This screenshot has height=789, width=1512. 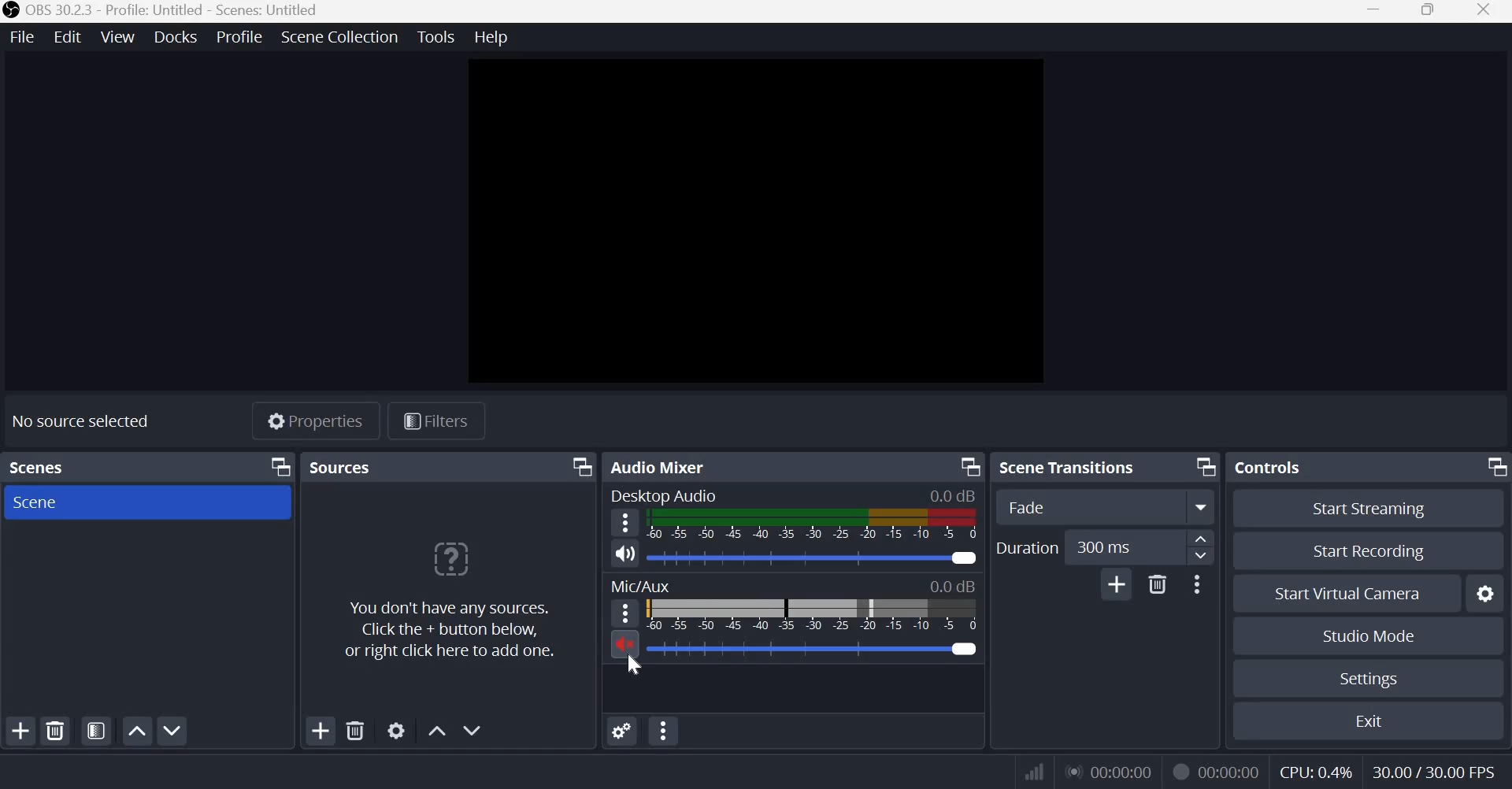 What do you see at coordinates (1069, 467) in the screenshot?
I see `Scene transitions` at bounding box center [1069, 467].